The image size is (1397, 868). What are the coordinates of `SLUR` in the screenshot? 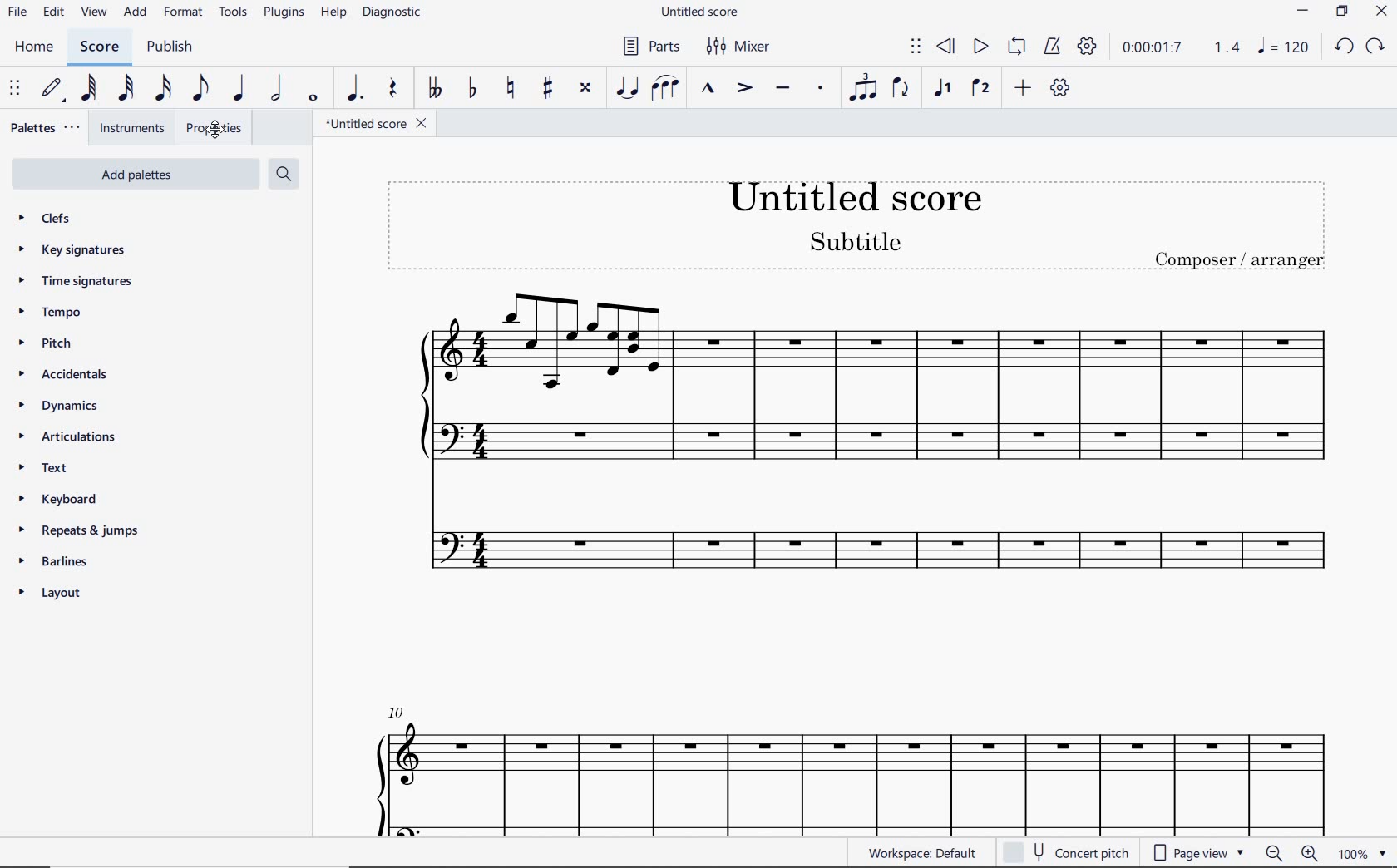 It's located at (666, 88).